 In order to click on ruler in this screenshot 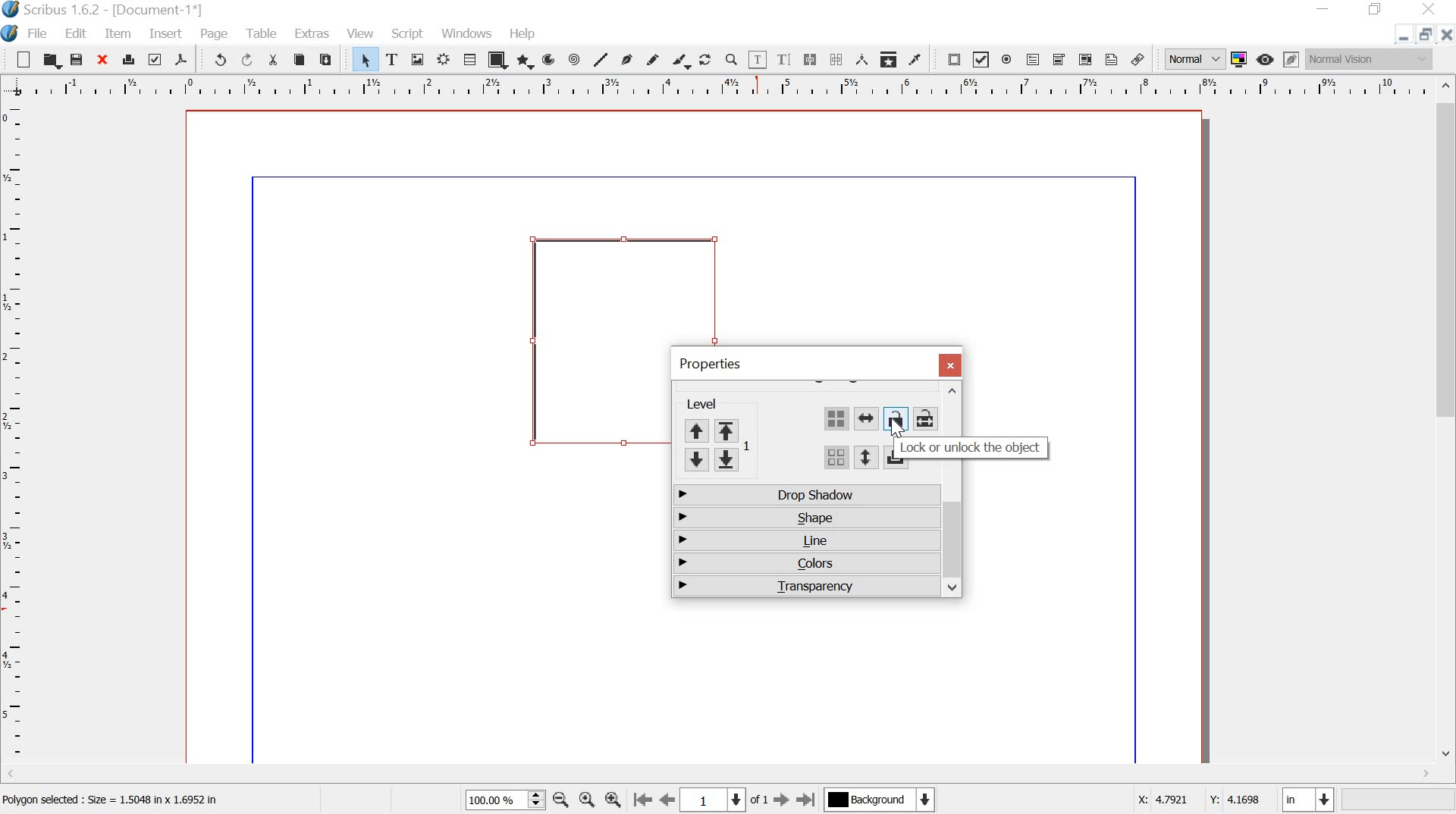, I will do `click(717, 86)`.